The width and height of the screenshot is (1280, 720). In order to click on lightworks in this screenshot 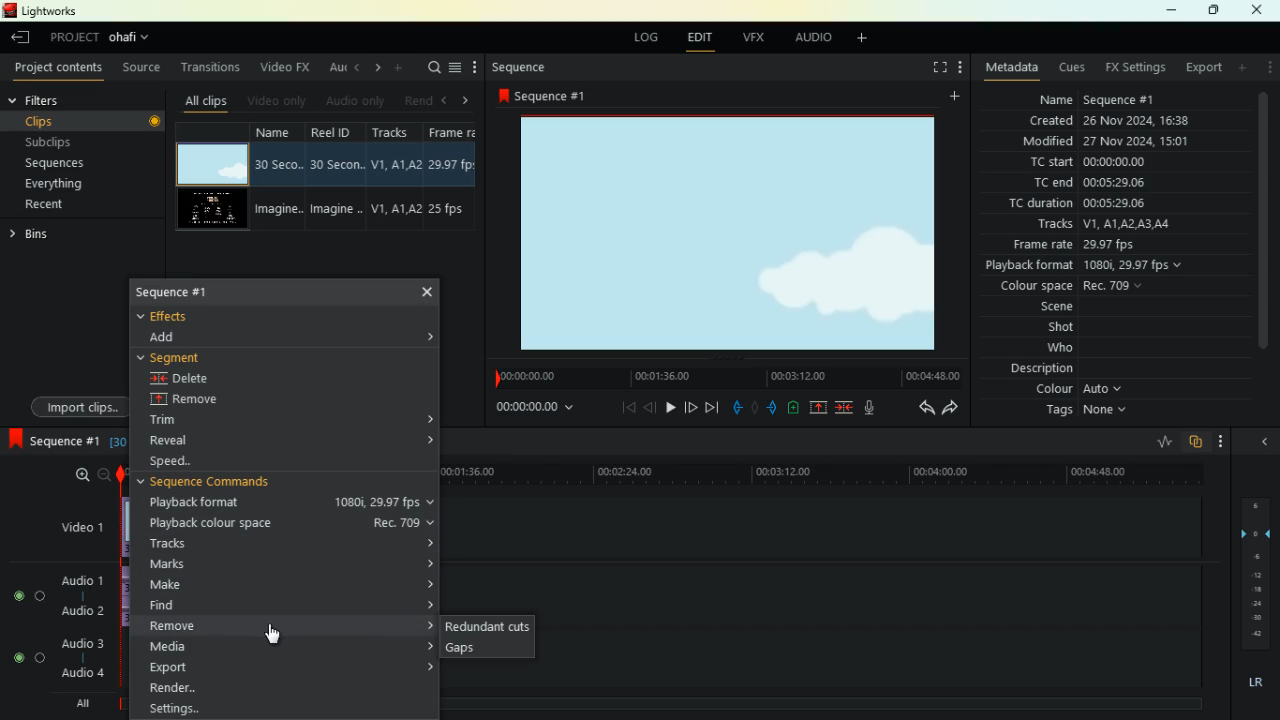, I will do `click(40, 12)`.